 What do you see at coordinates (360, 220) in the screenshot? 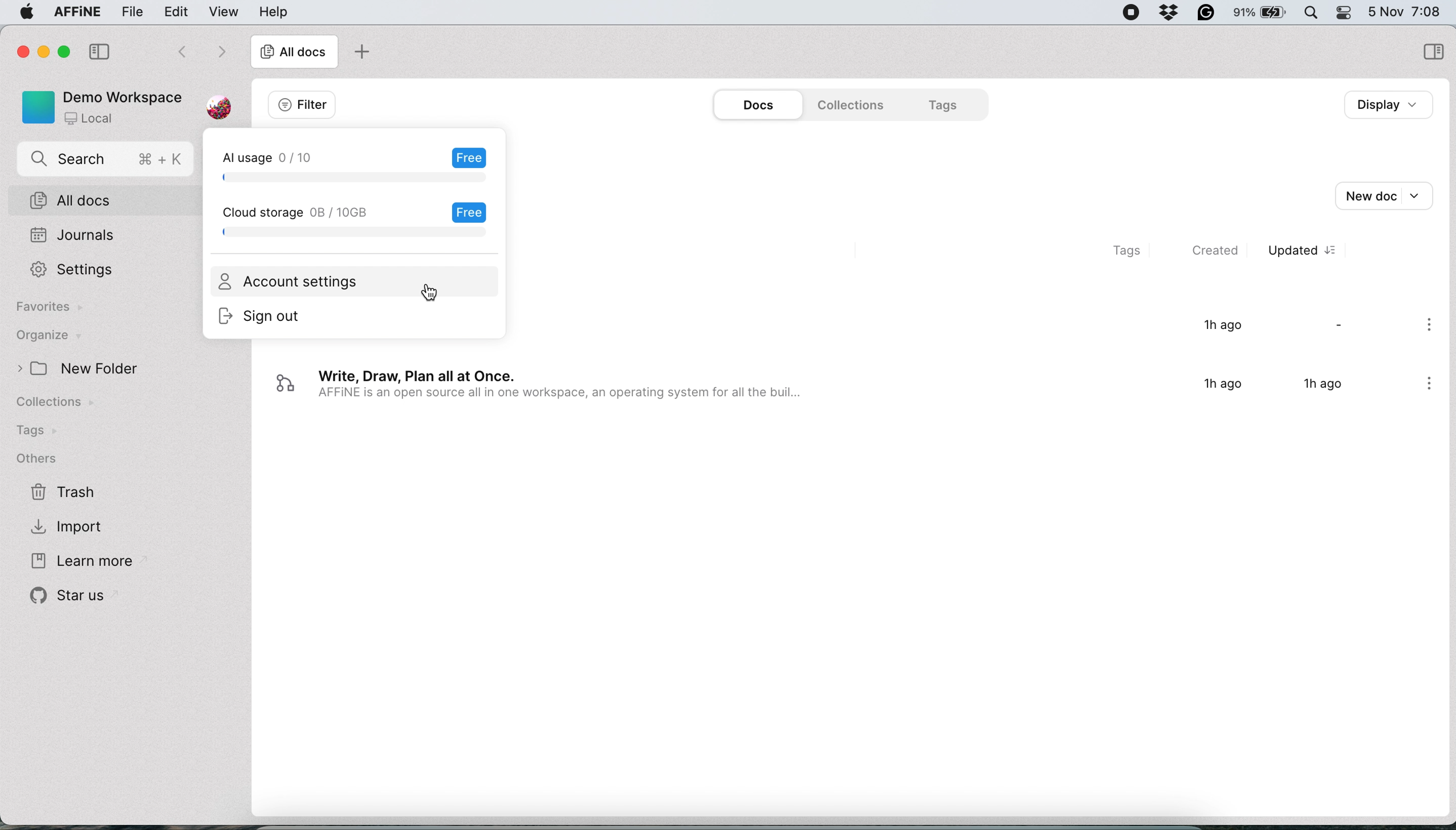
I see `cloud storage` at bounding box center [360, 220].